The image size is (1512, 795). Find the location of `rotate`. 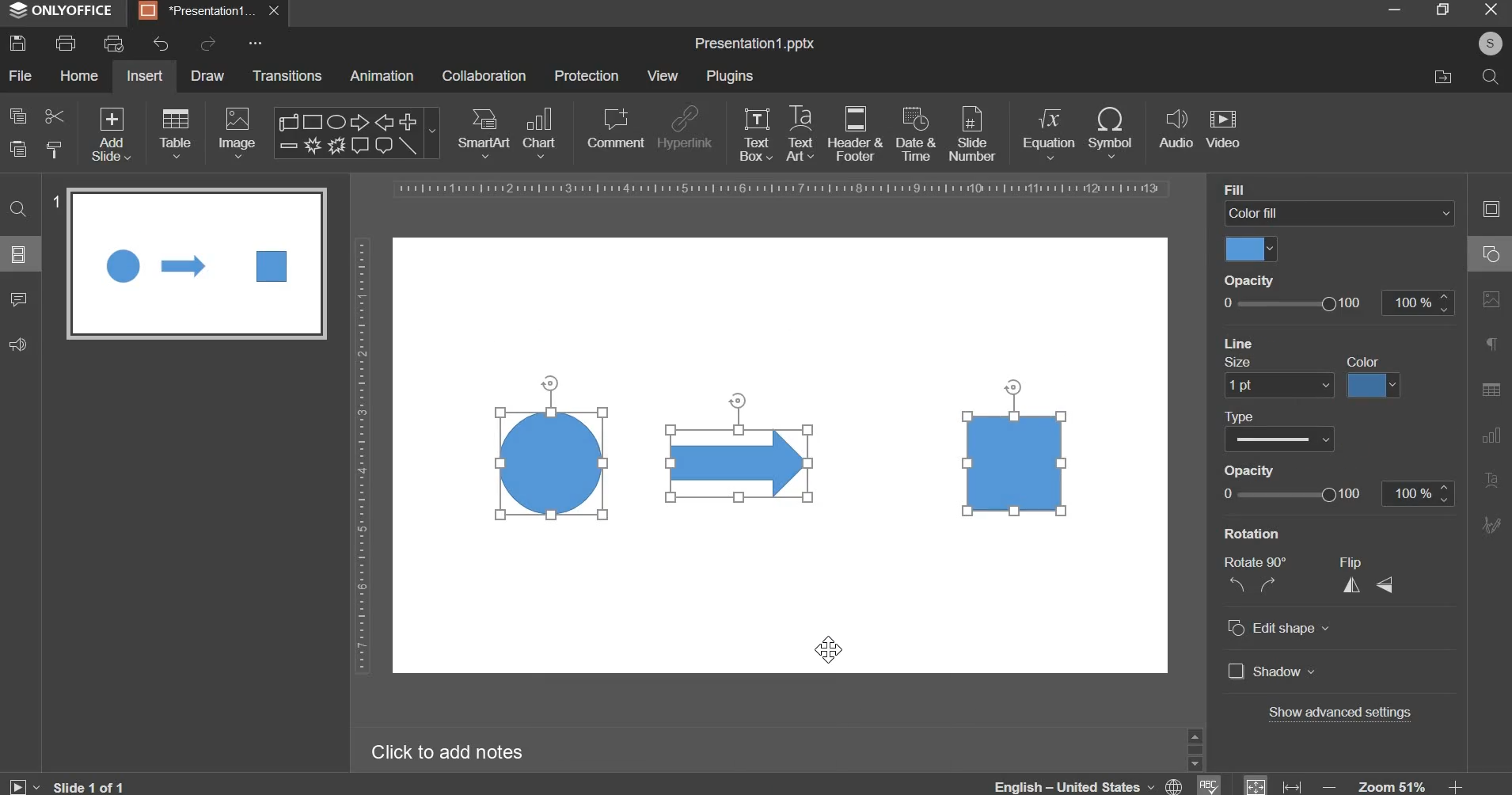

rotate is located at coordinates (545, 384).